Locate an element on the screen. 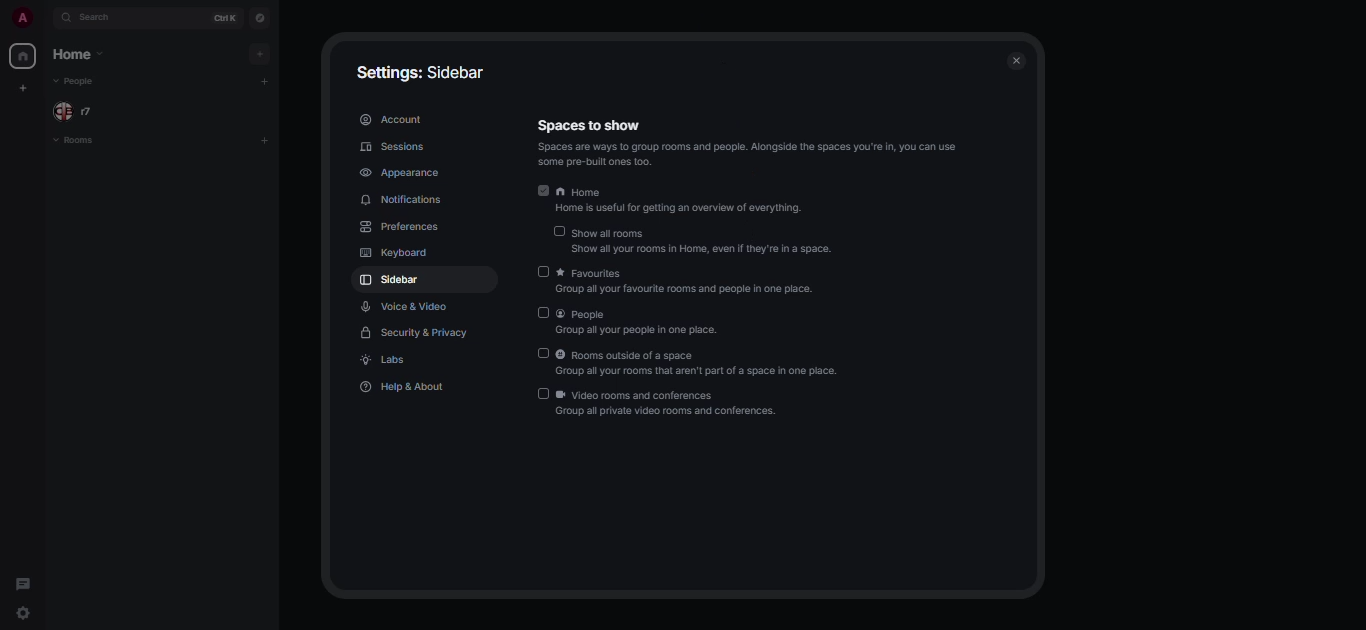 Image resolution: width=1366 pixels, height=630 pixels. add is located at coordinates (257, 53).